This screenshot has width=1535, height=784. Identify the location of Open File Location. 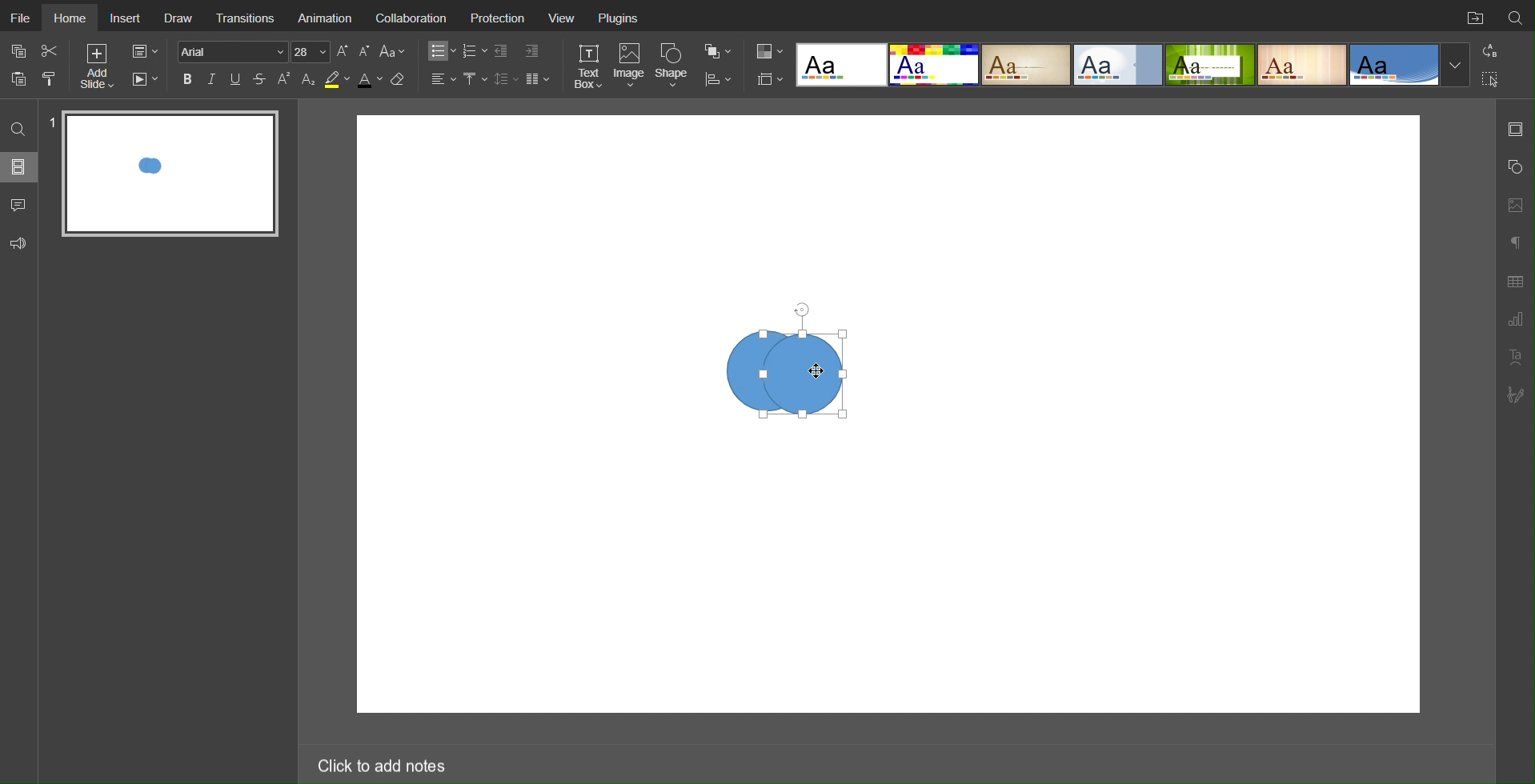
(1472, 16).